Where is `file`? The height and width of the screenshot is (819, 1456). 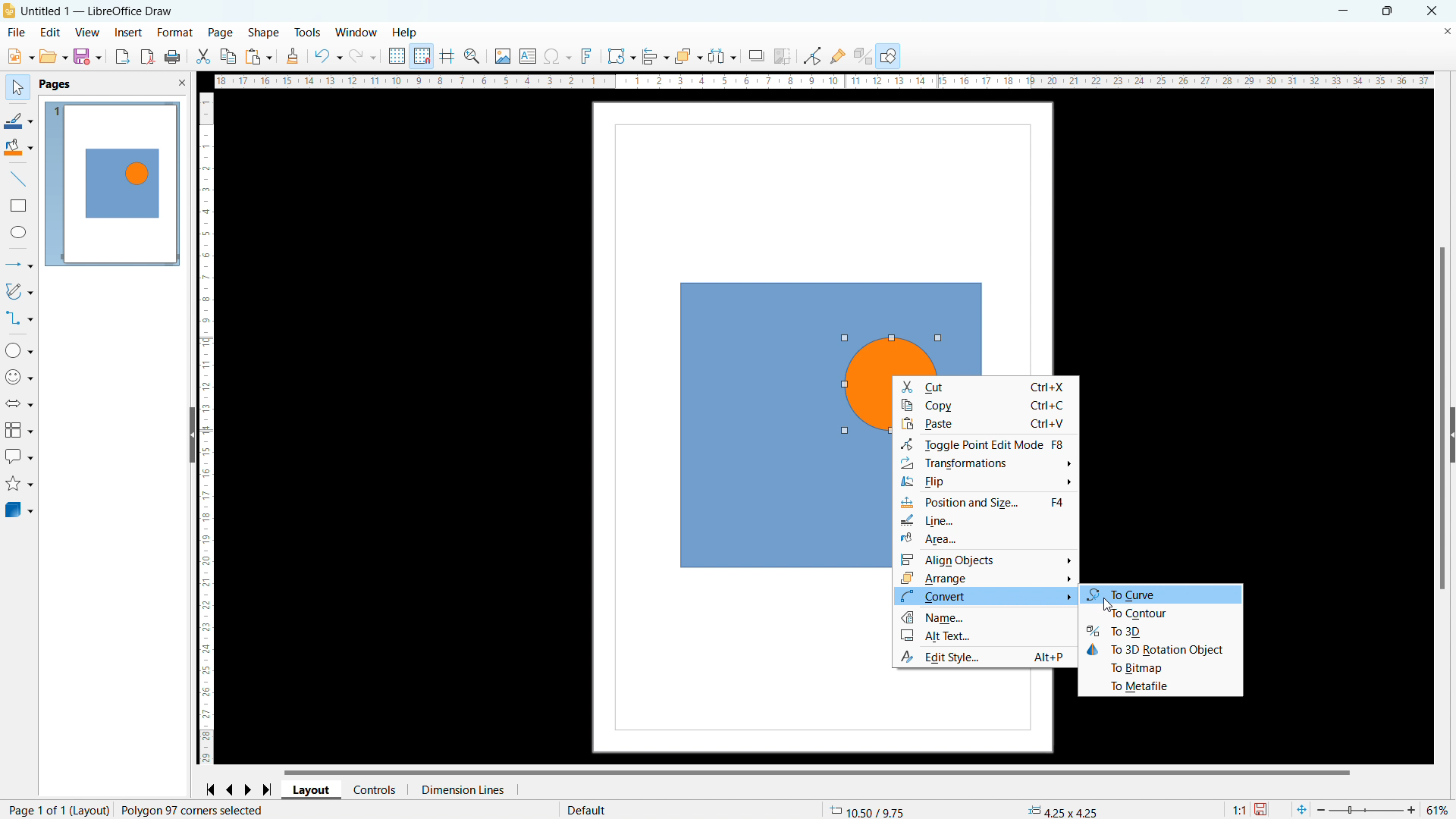 file is located at coordinates (16, 33).